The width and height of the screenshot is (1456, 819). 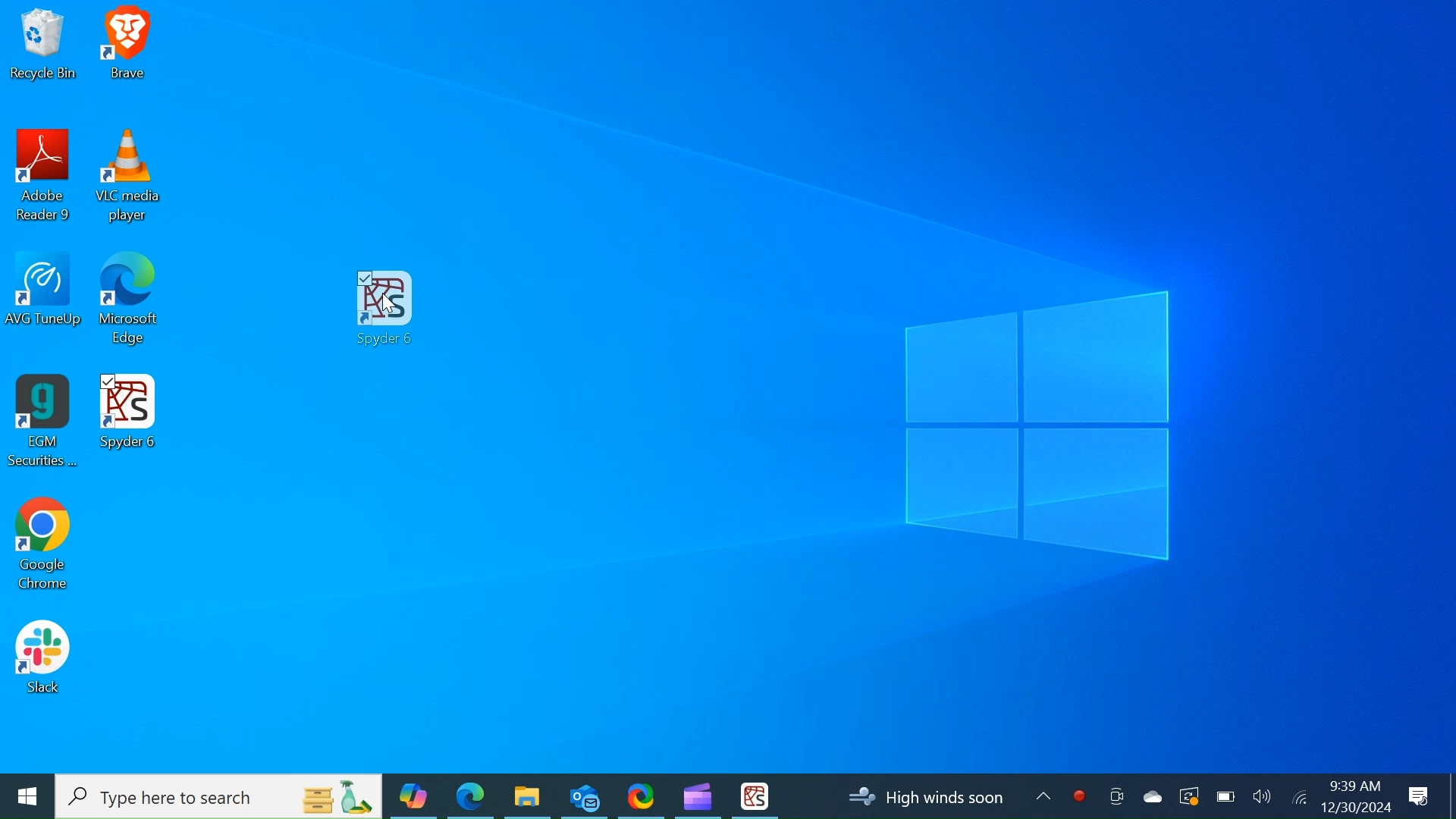 I want to click on 12/30/2024, so click(x=1357, y=807).